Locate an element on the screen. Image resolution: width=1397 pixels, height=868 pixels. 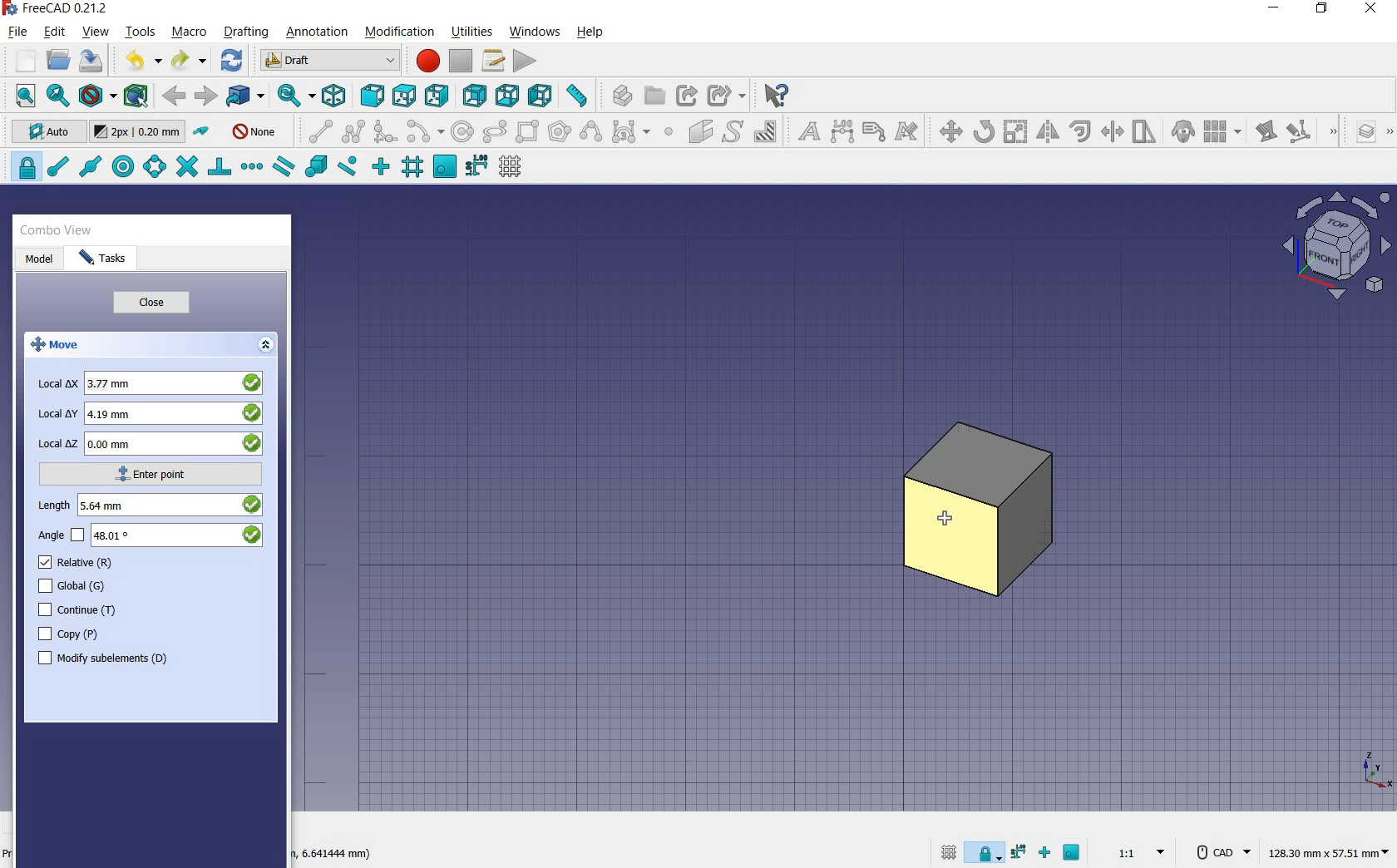
restore down is located at coordinates (1324, 10).